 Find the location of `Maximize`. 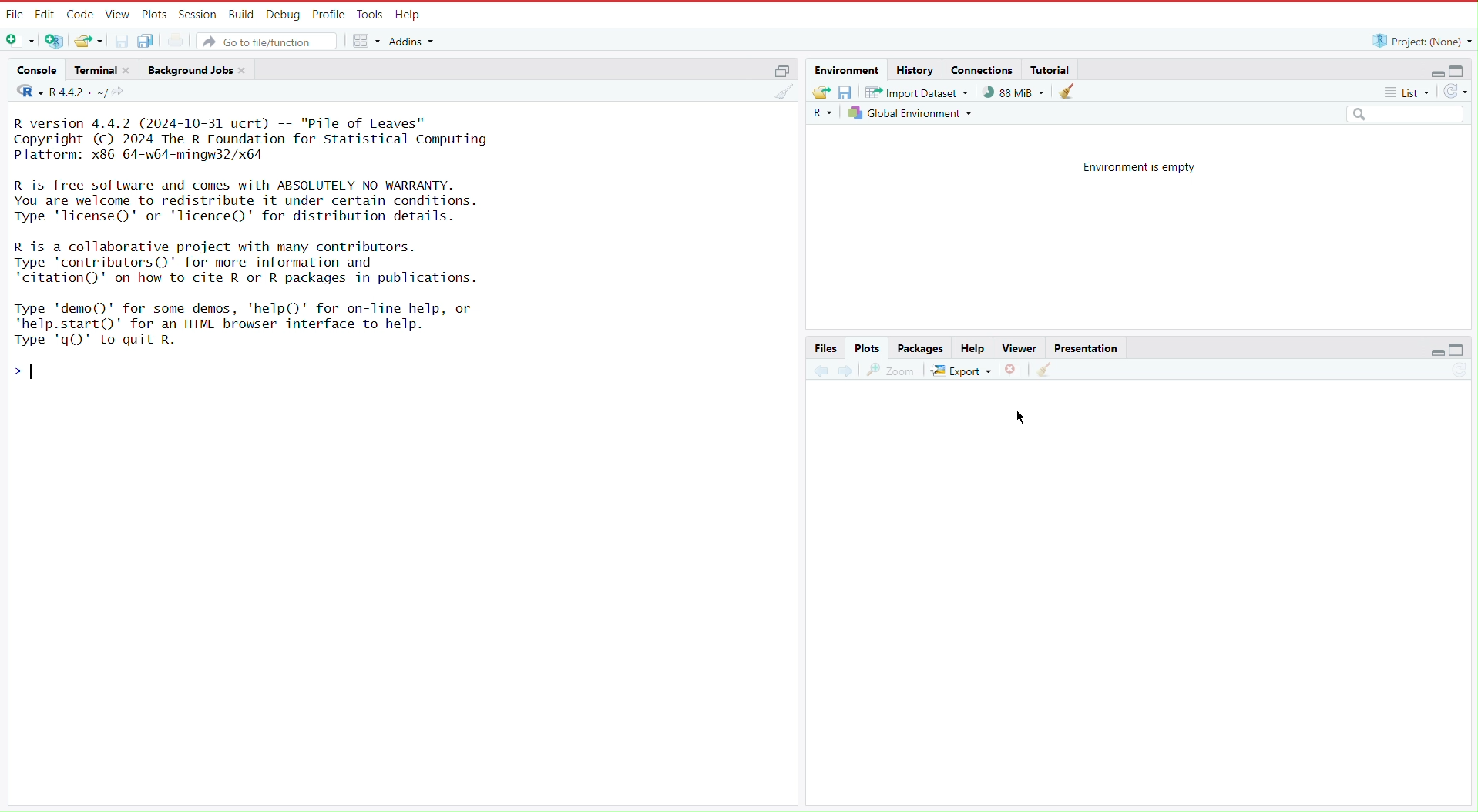

Maximize is located at coordinates (781, 69).